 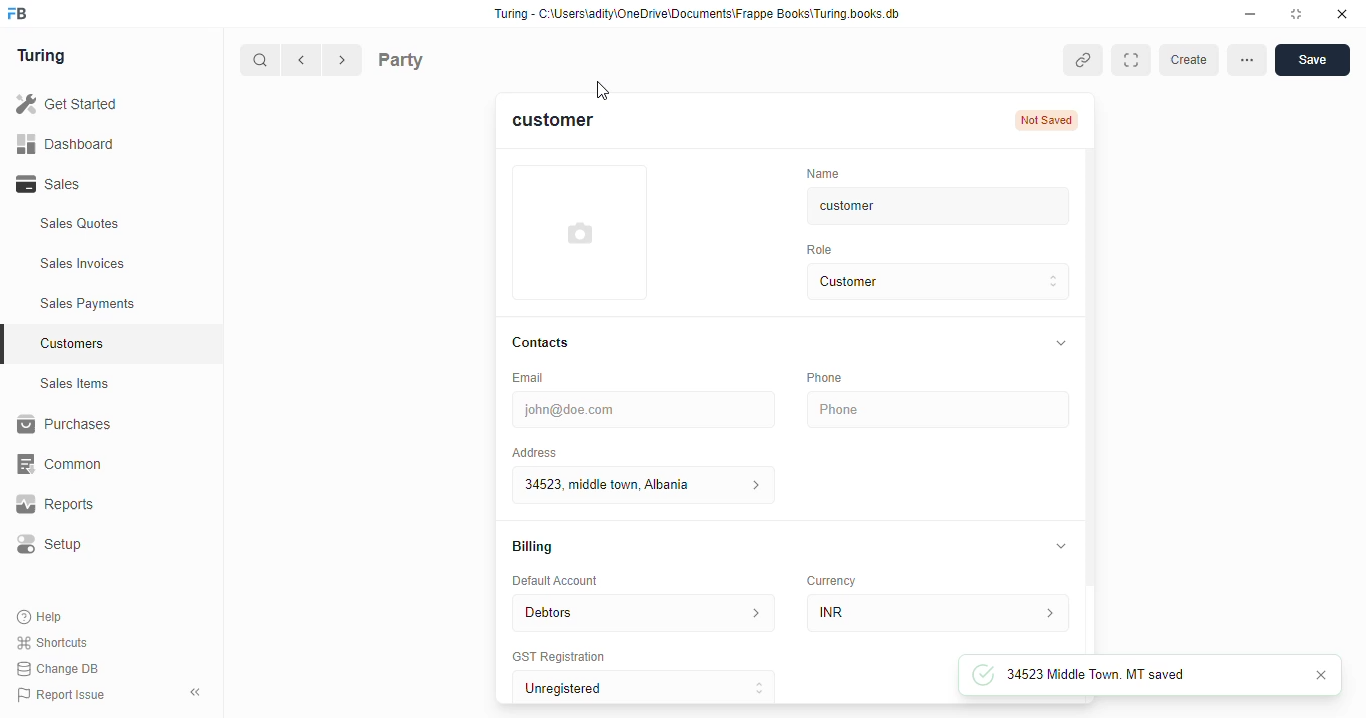 What do you see at coordinates (530, 377) in the screenshot?
I see `Email` at bounding box center [530, 377].